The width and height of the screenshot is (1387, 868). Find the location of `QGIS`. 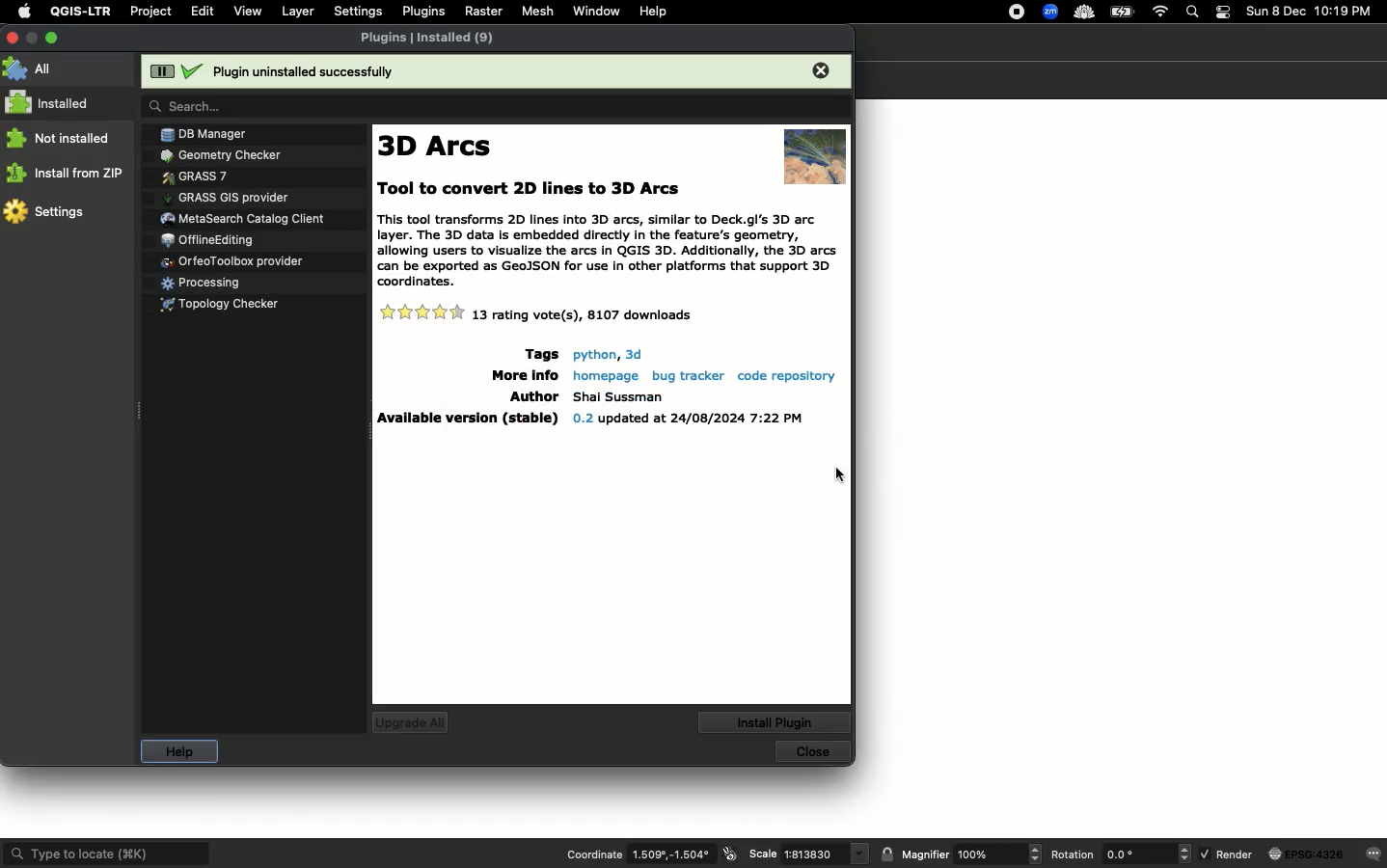

QGIS is located at coordinates (81, 13).